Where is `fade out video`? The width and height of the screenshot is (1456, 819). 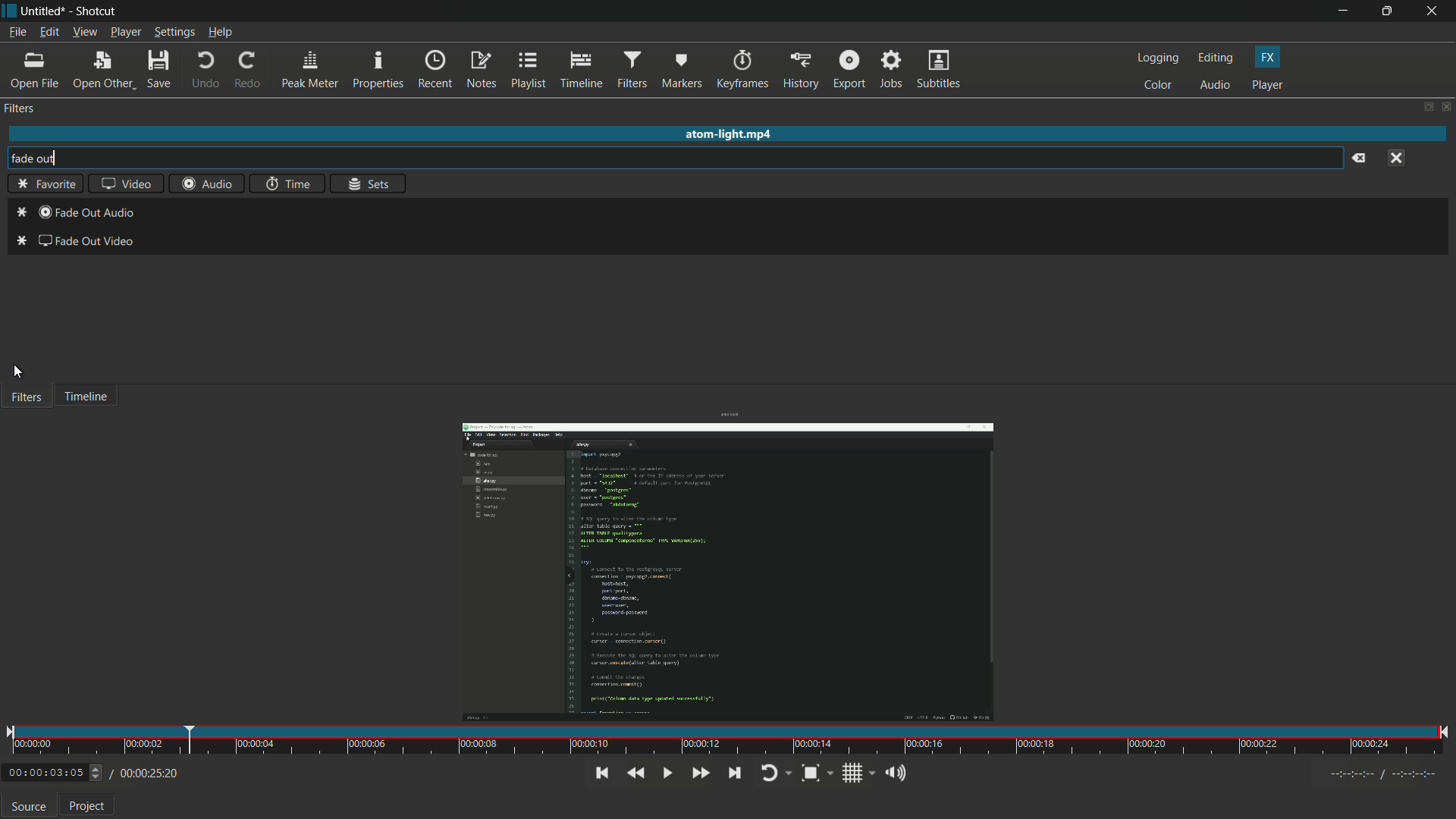
fade out video is located at coordinates (74, 244).